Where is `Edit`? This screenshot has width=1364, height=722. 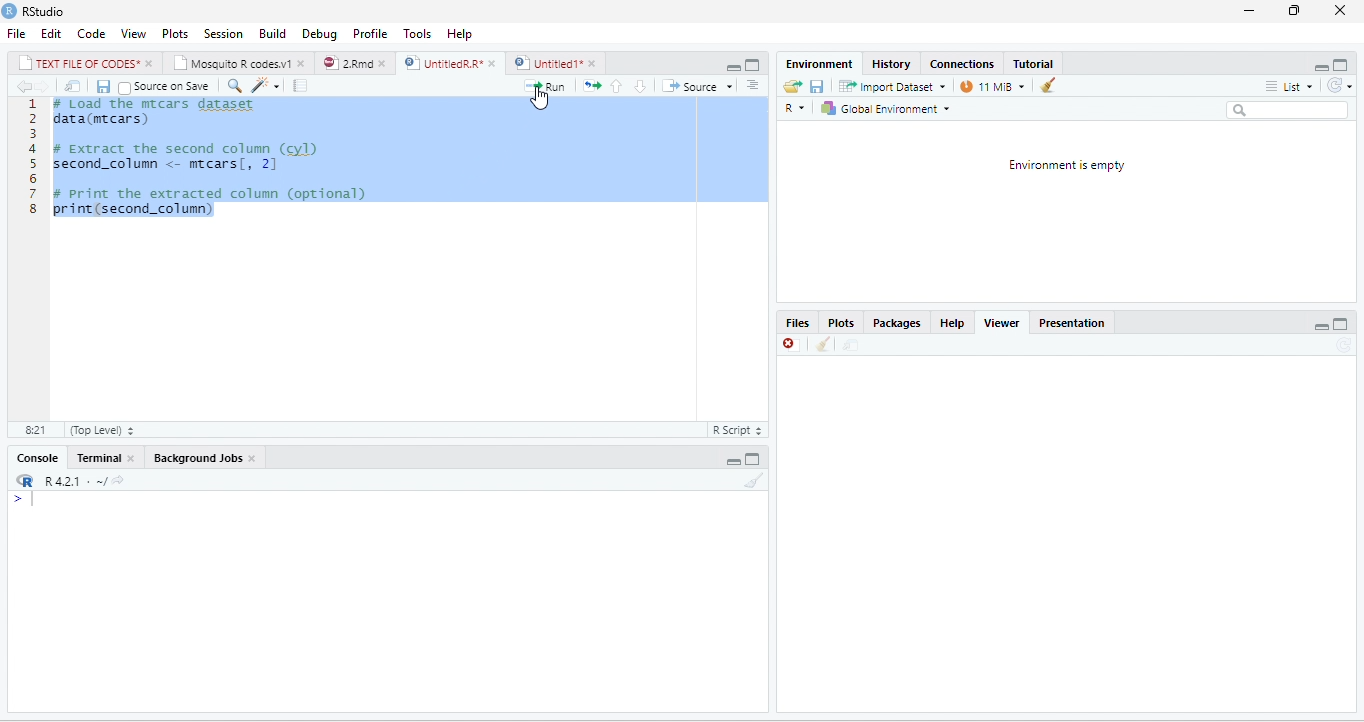
Edit is located at coordinates (51, 34).